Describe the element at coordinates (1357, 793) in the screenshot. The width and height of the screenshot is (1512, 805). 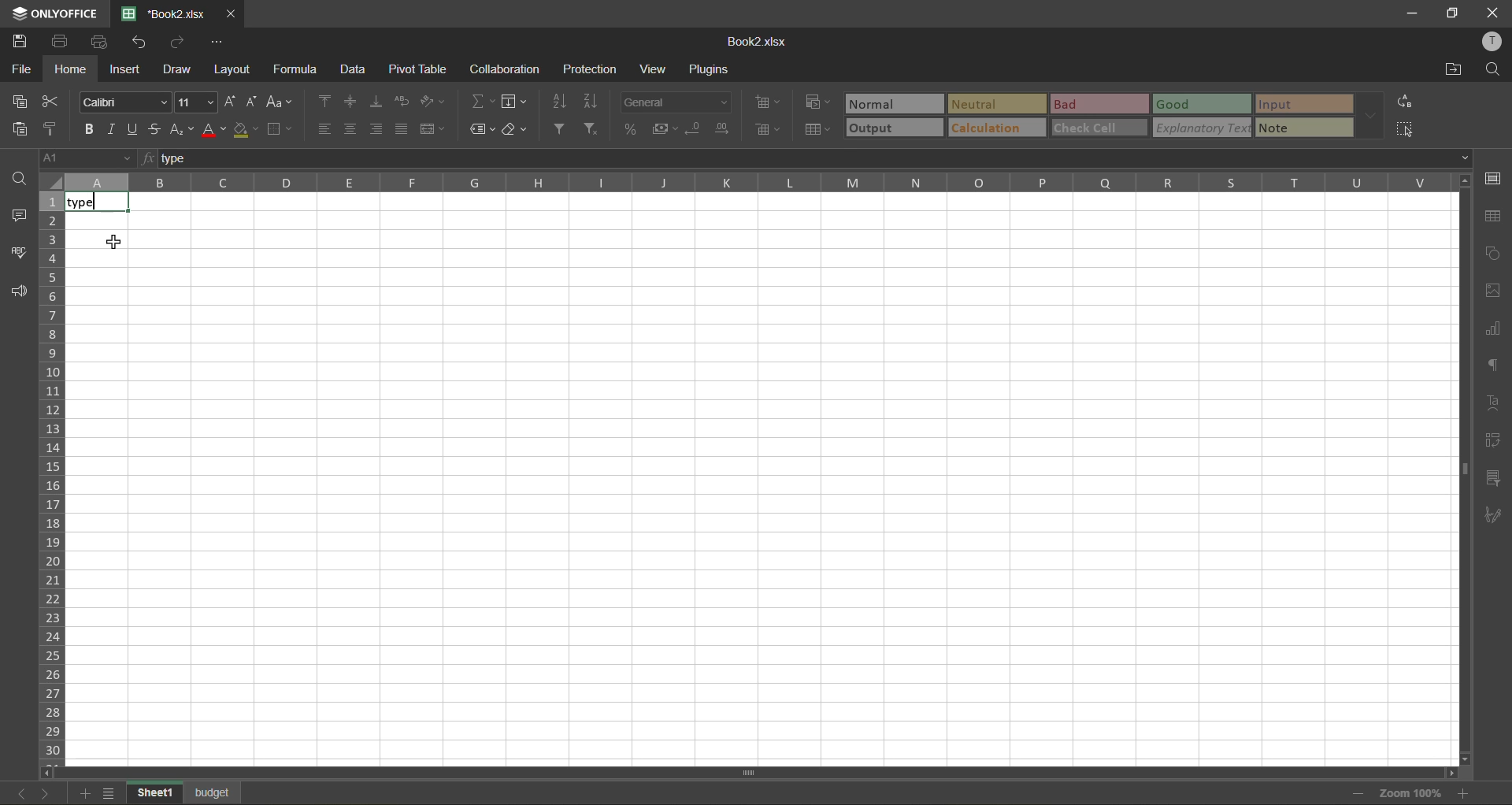
I see `zoom out` at that location.